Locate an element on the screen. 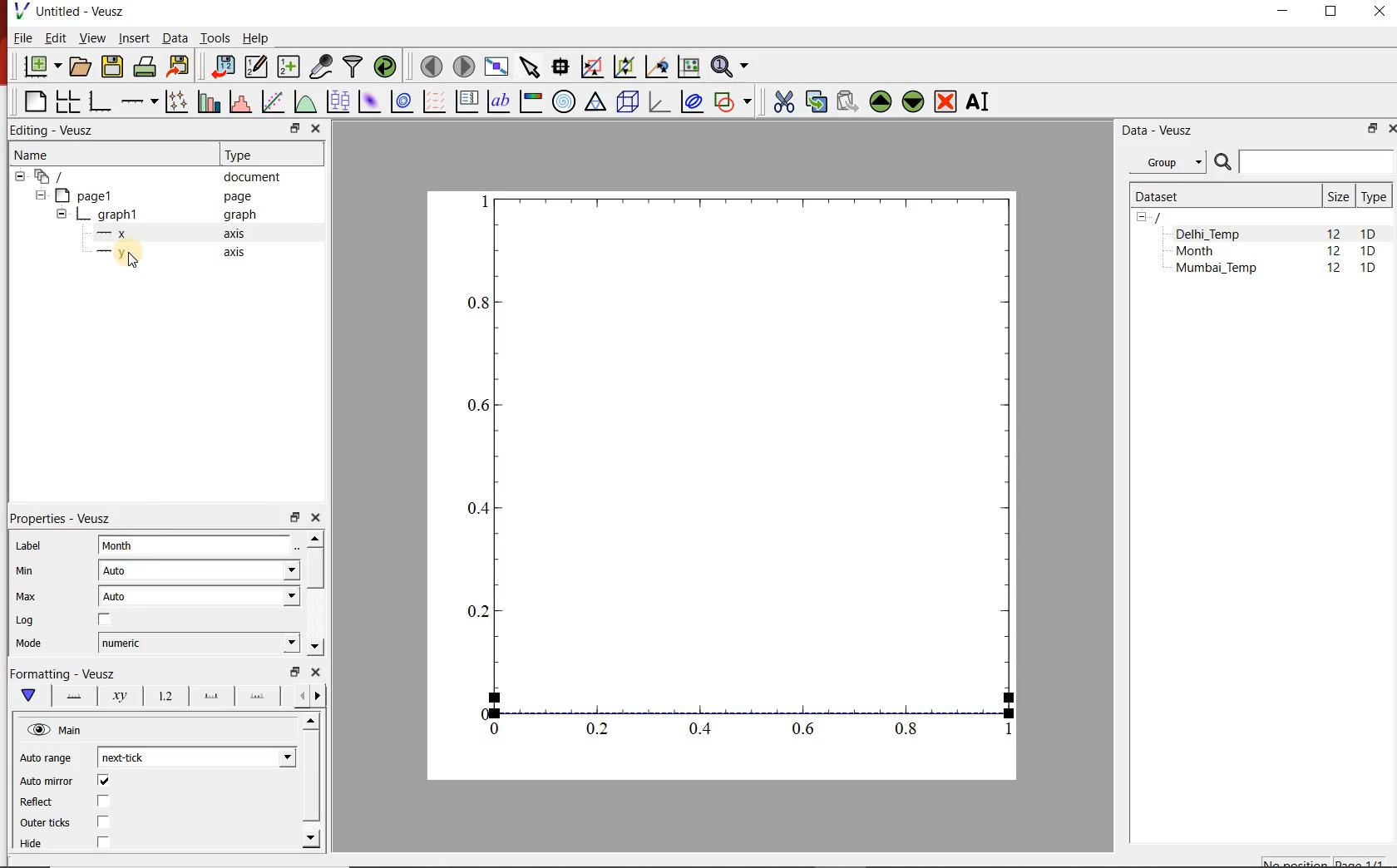  Type is located at coordinates (245, 155).